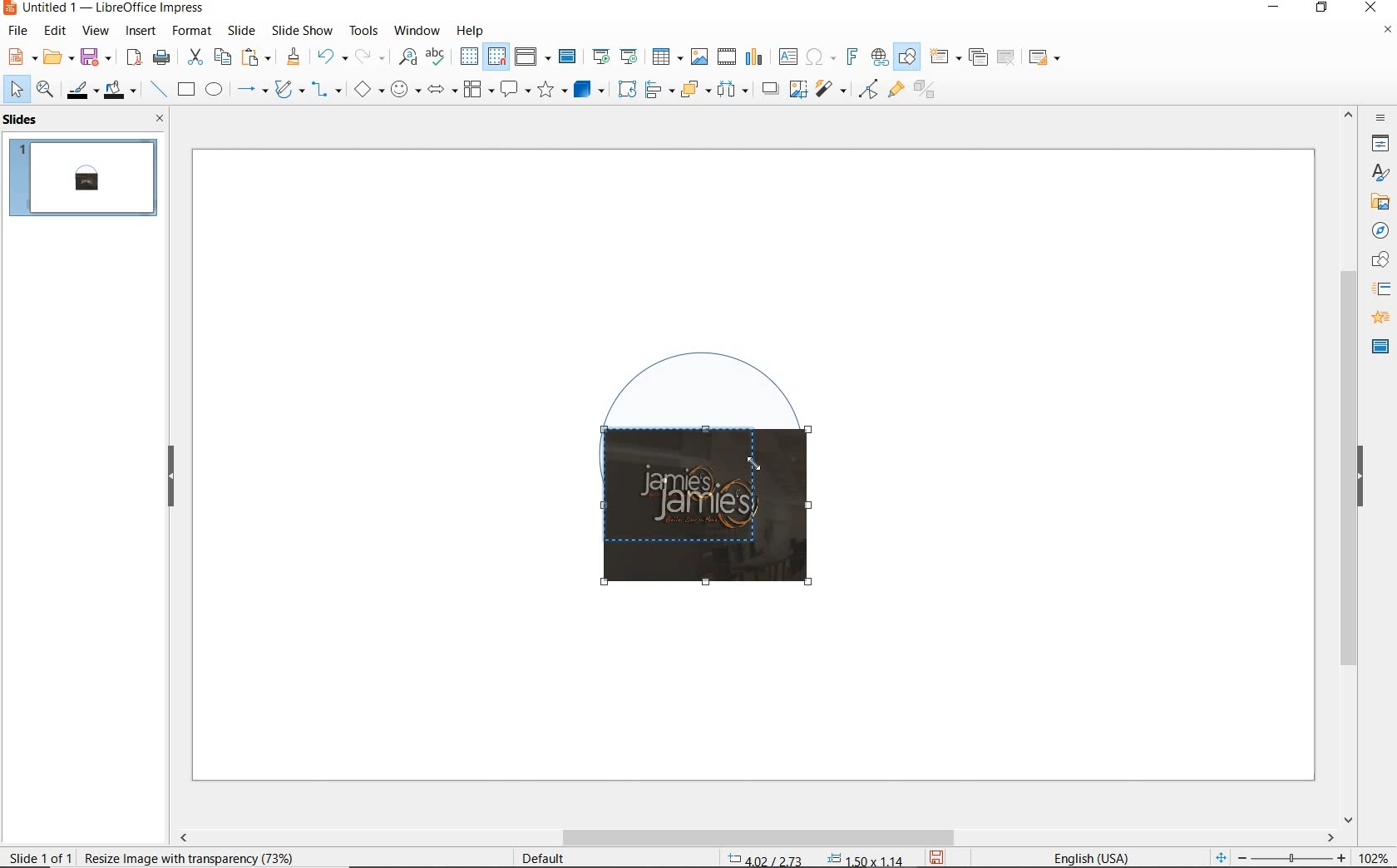 The height and width of the screenshot is (868, 1397). What do you see at coordinates (435, 57) in the screenshot?
I see `spelling` at bounding box center [435, 57].